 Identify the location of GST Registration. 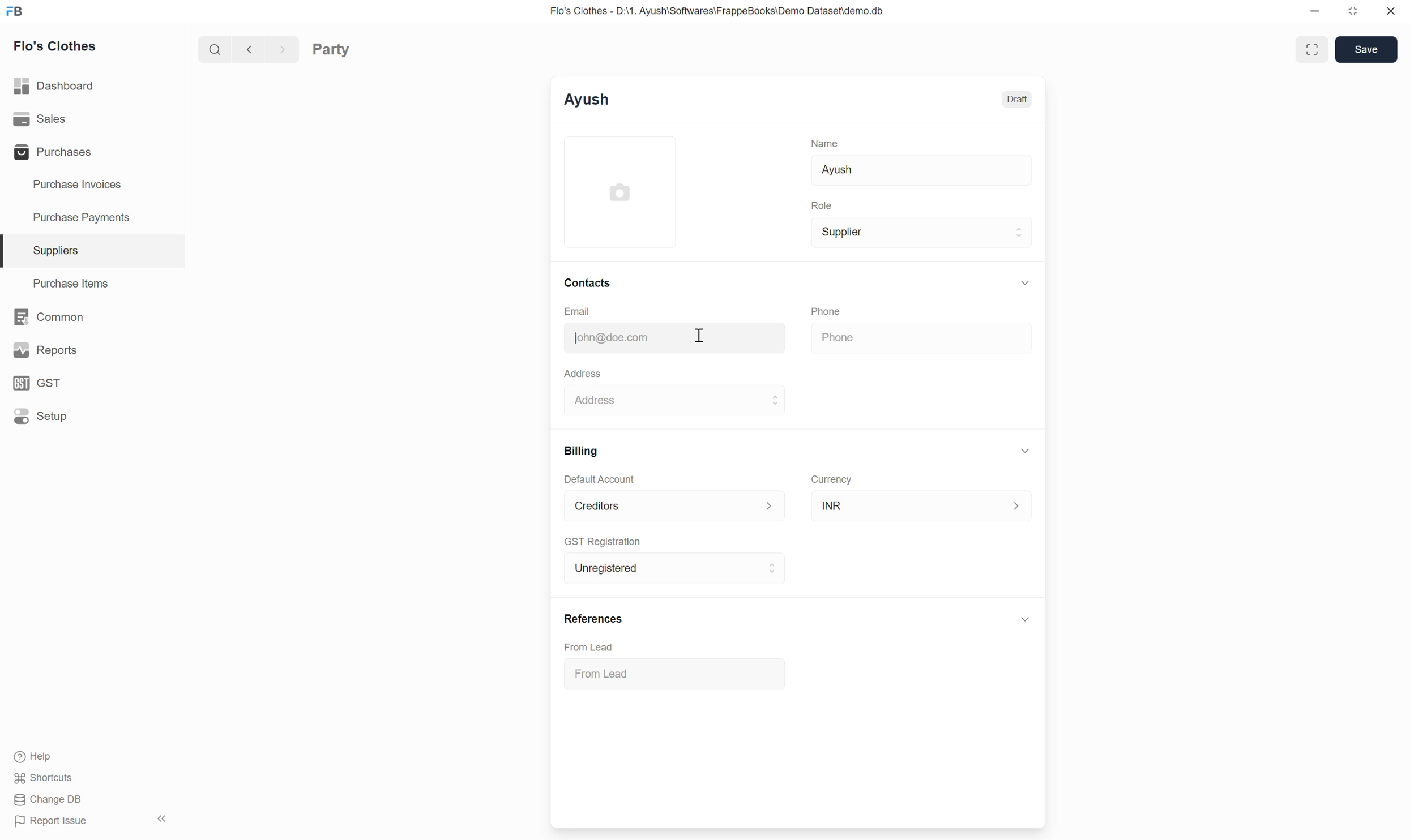
(603, 542).